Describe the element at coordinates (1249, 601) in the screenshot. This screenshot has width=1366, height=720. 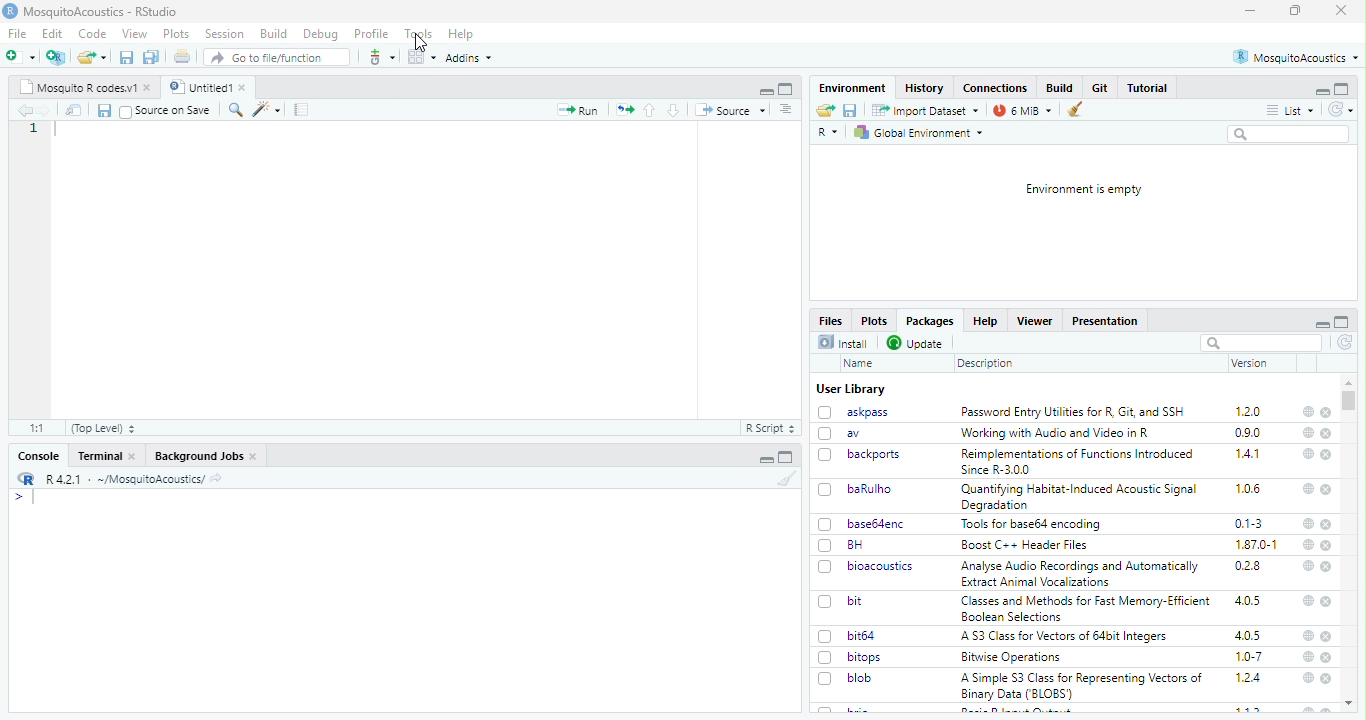
I see `405` at that location.